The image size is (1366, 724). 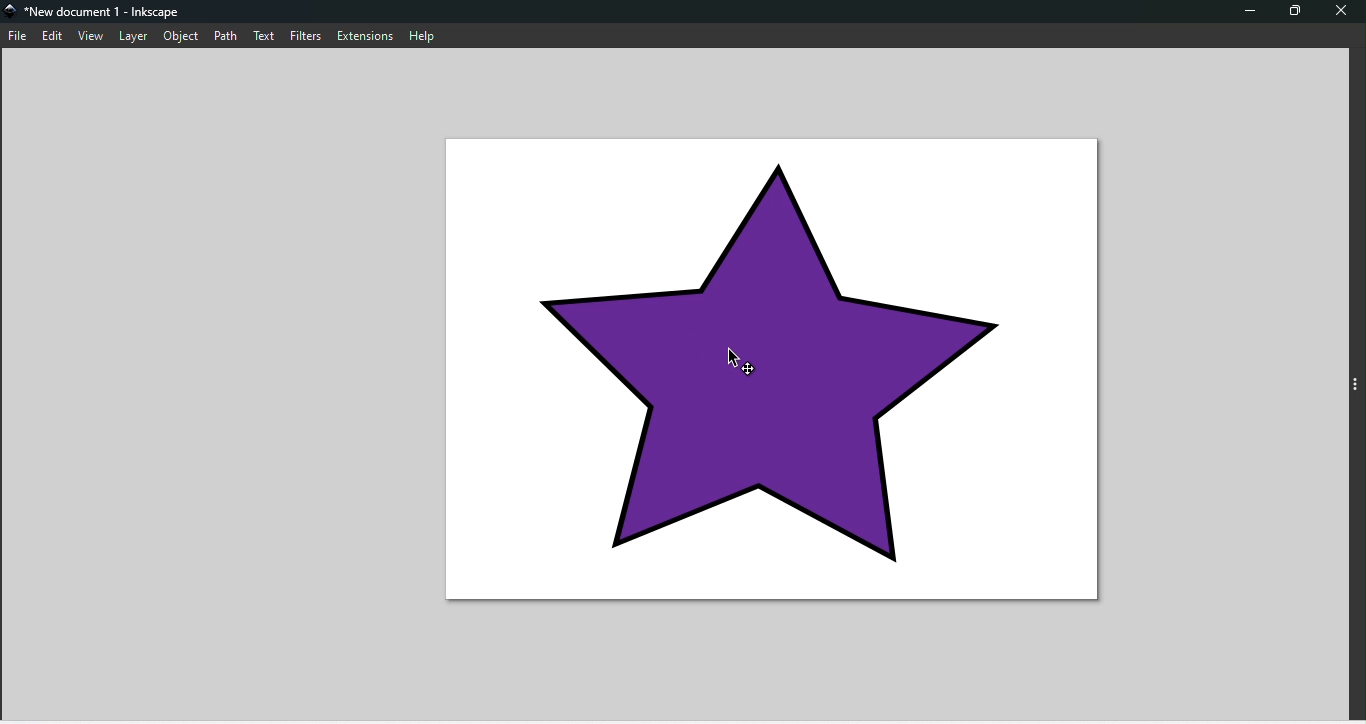 What do you see at coordinates (424, 37) in the screenshot?
I see `Help` at bounding box center [424, 37].